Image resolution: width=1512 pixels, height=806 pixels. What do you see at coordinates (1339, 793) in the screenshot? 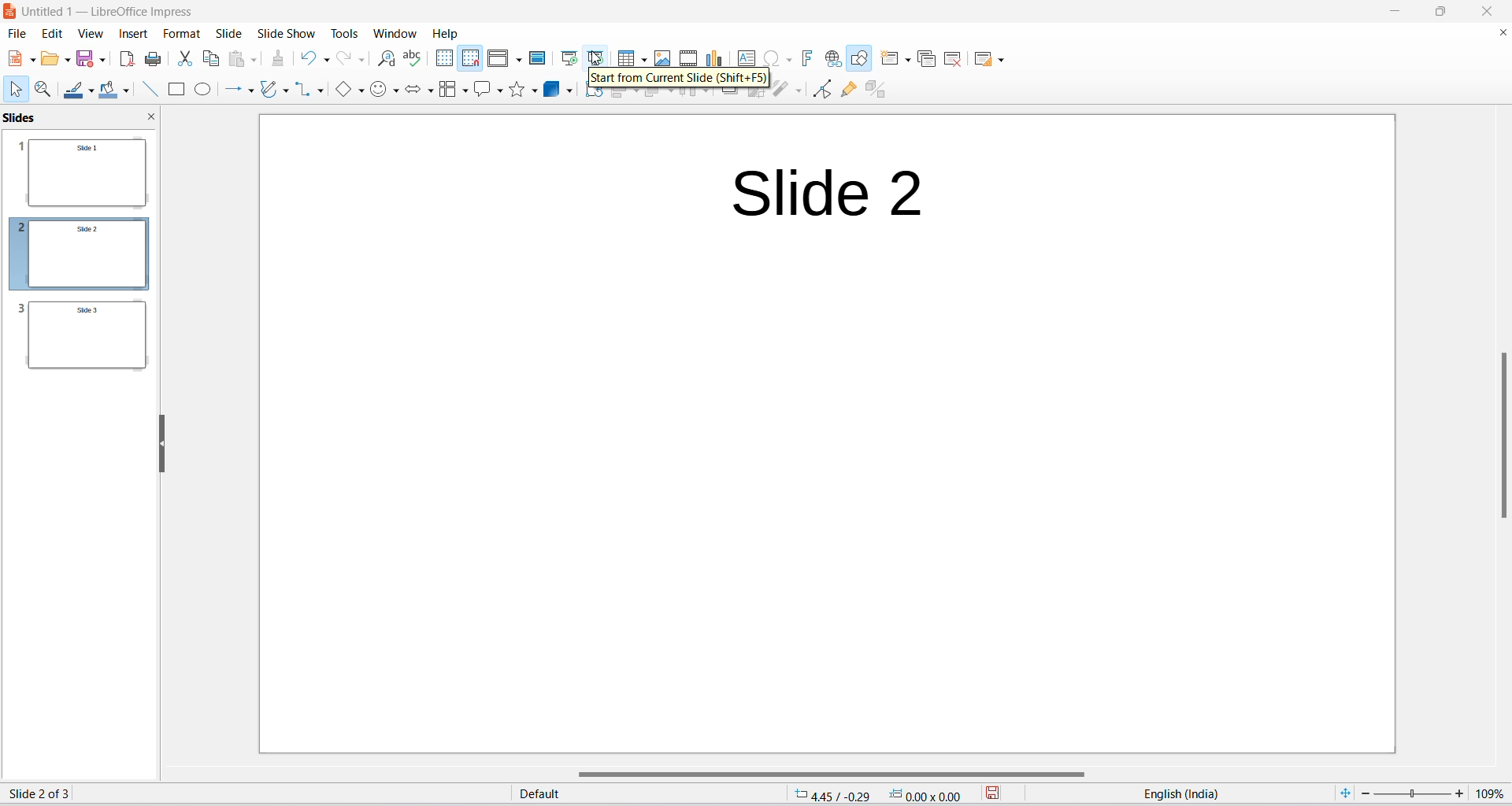
I see `fit current slide to windows` at bounding box center [1339, 793].